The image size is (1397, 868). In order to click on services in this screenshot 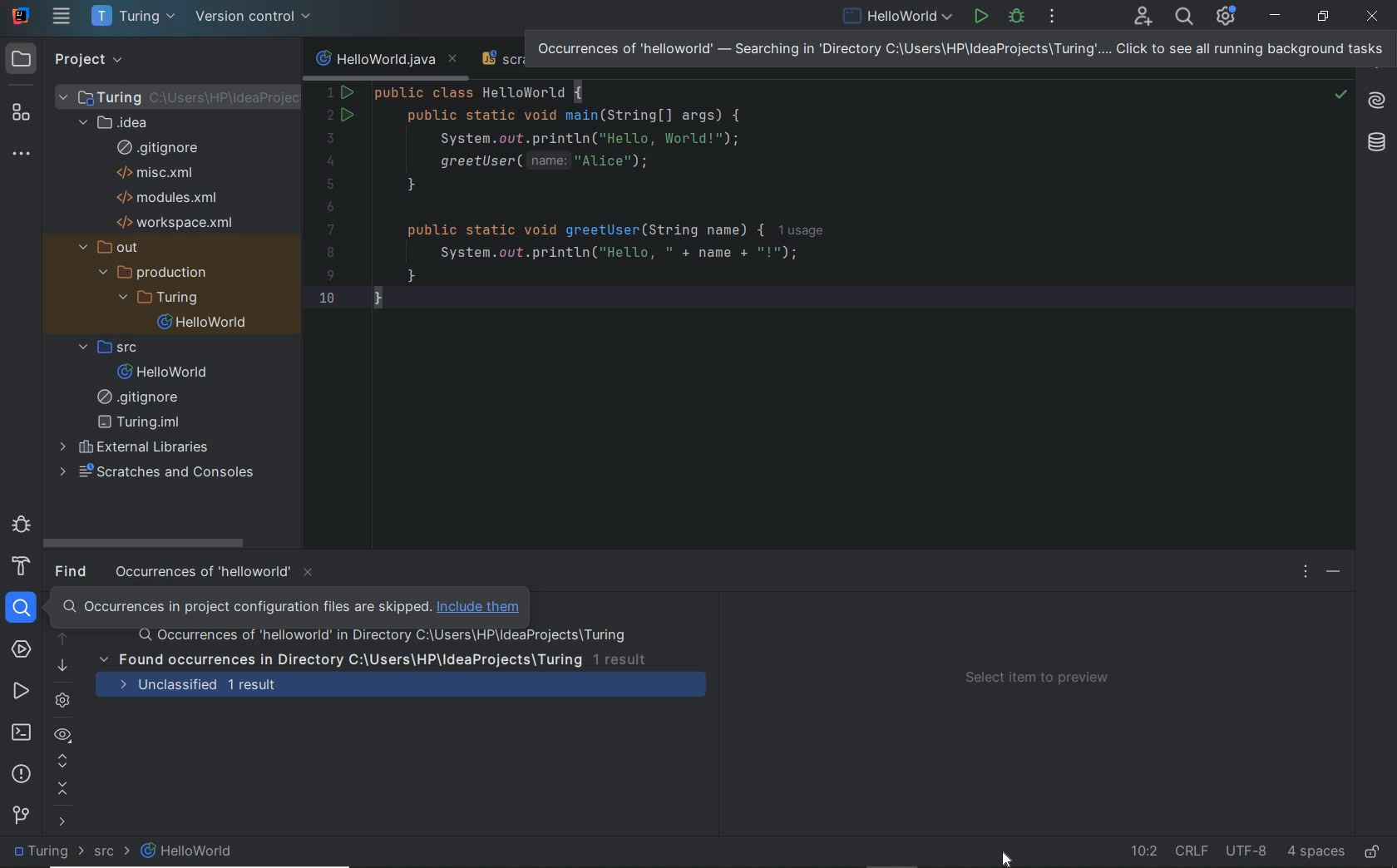, I will do `click(23, 649)`.